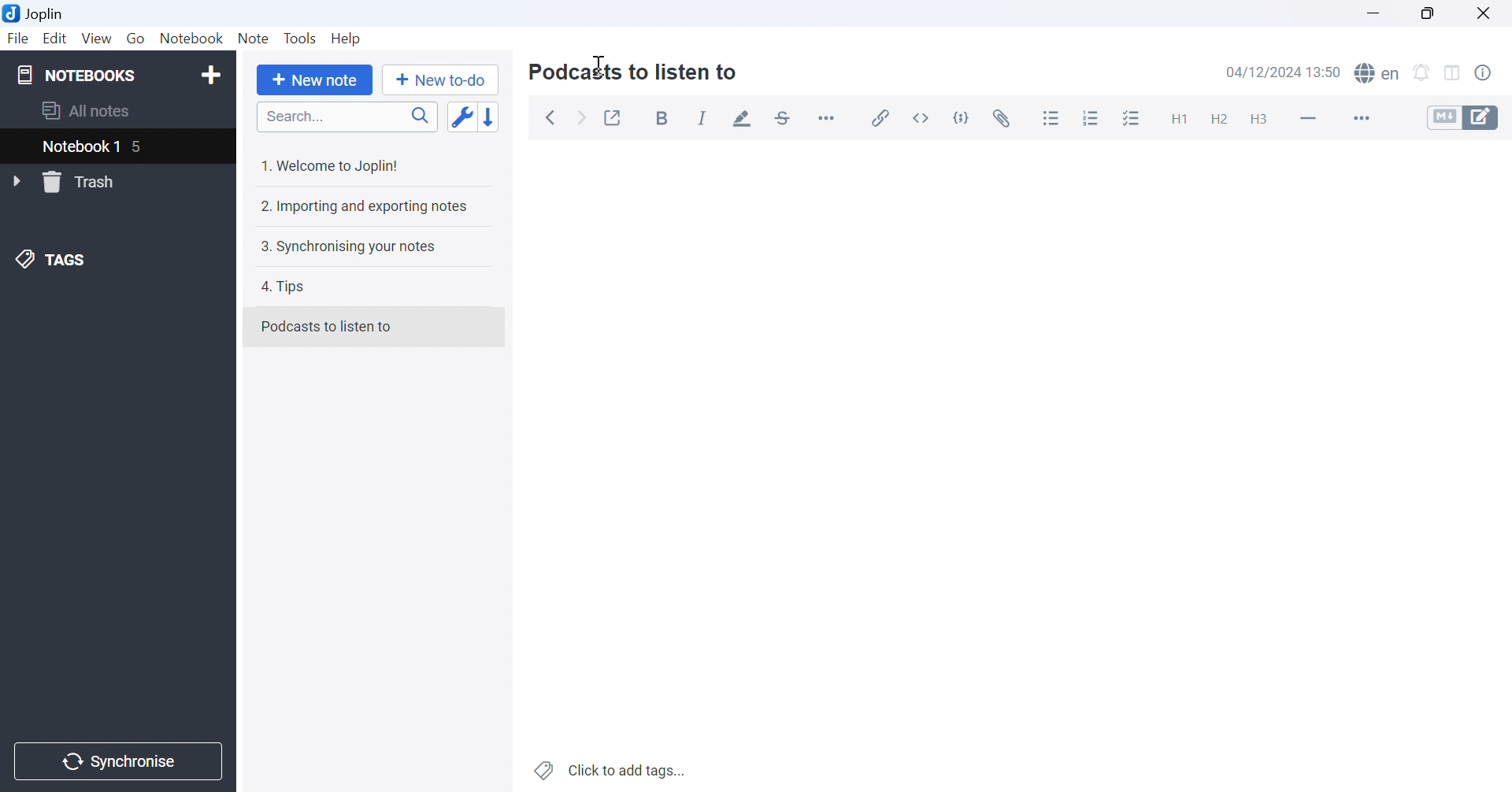  Describe the element at coordinates (120, 762) in the screenshot. I see `Synchronise` at that location.